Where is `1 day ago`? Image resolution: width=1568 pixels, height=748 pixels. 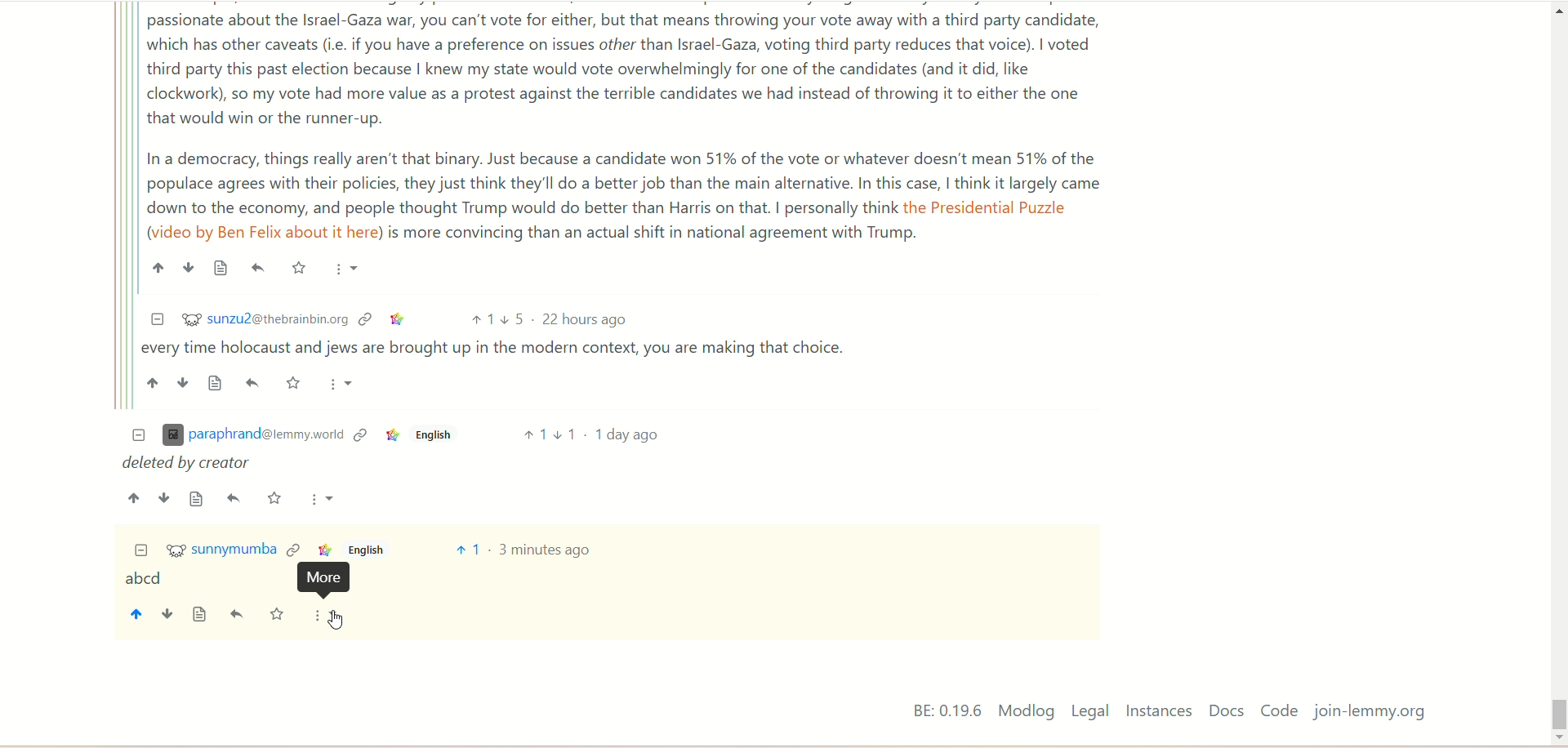 1 day ago is located at coordinates (627, 434).